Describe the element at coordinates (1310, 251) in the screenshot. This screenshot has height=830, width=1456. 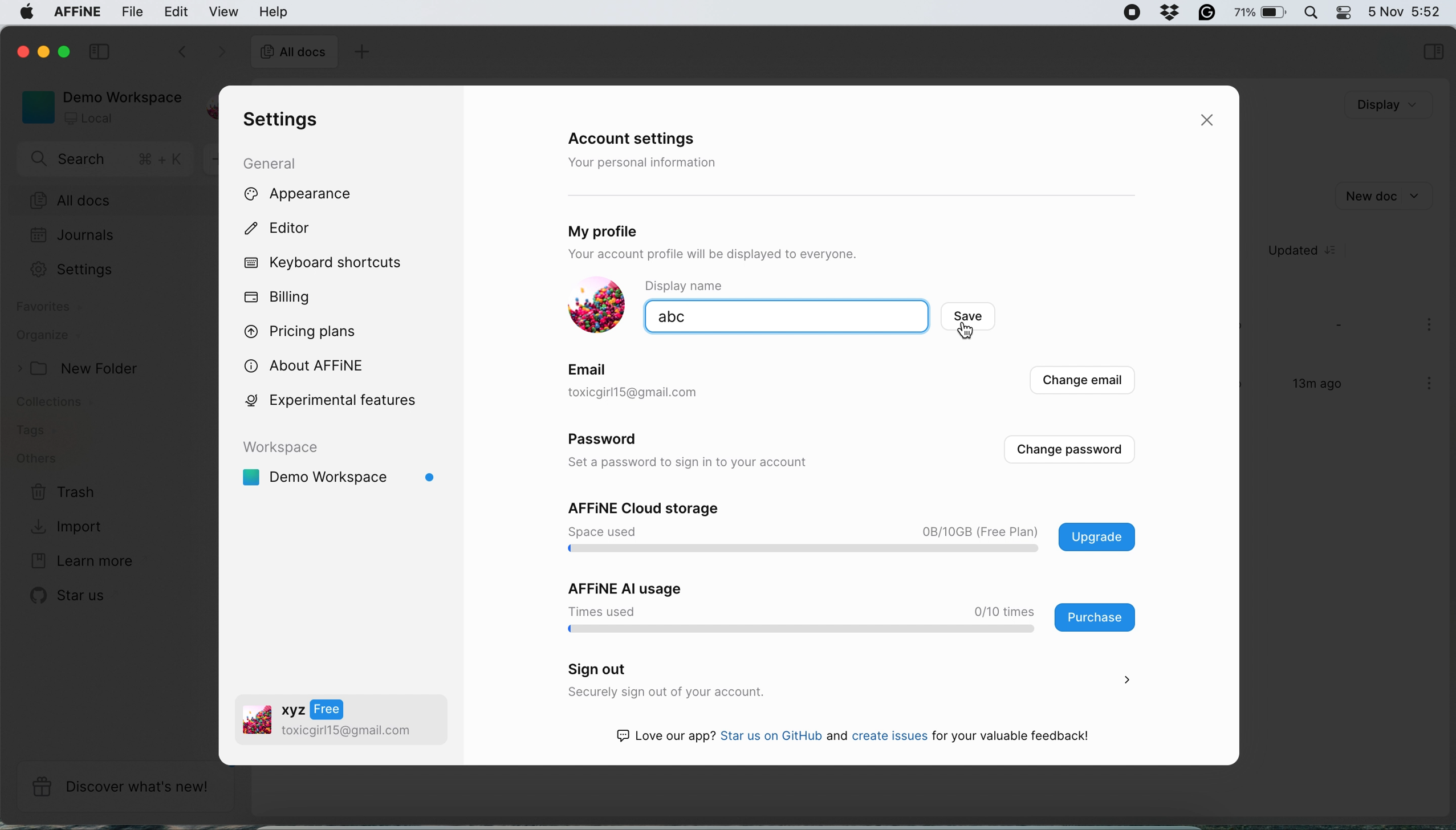
I see `updated` at that location.